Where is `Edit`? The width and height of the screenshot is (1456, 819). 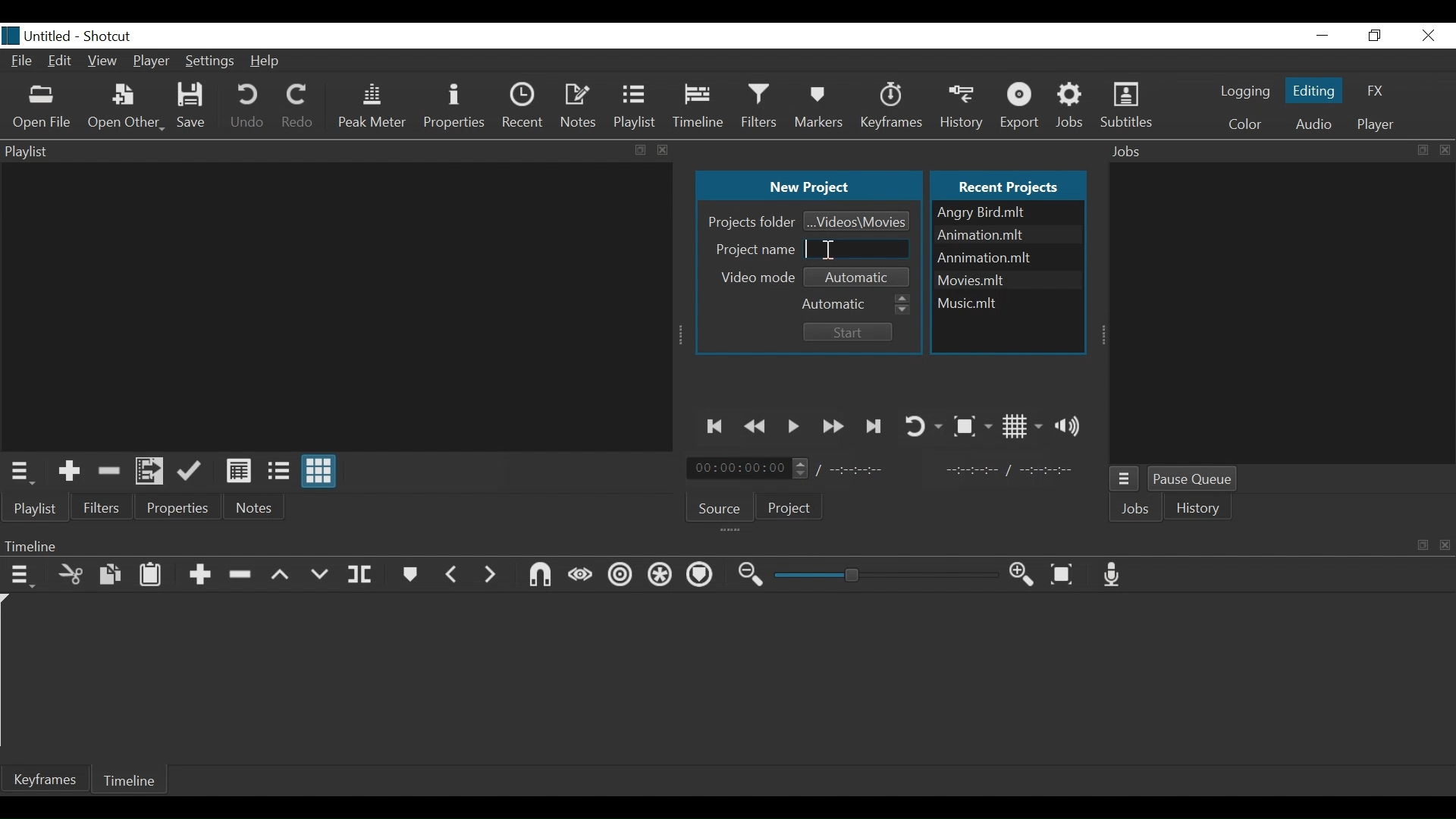 Edit is located at coordinates (61, 63).